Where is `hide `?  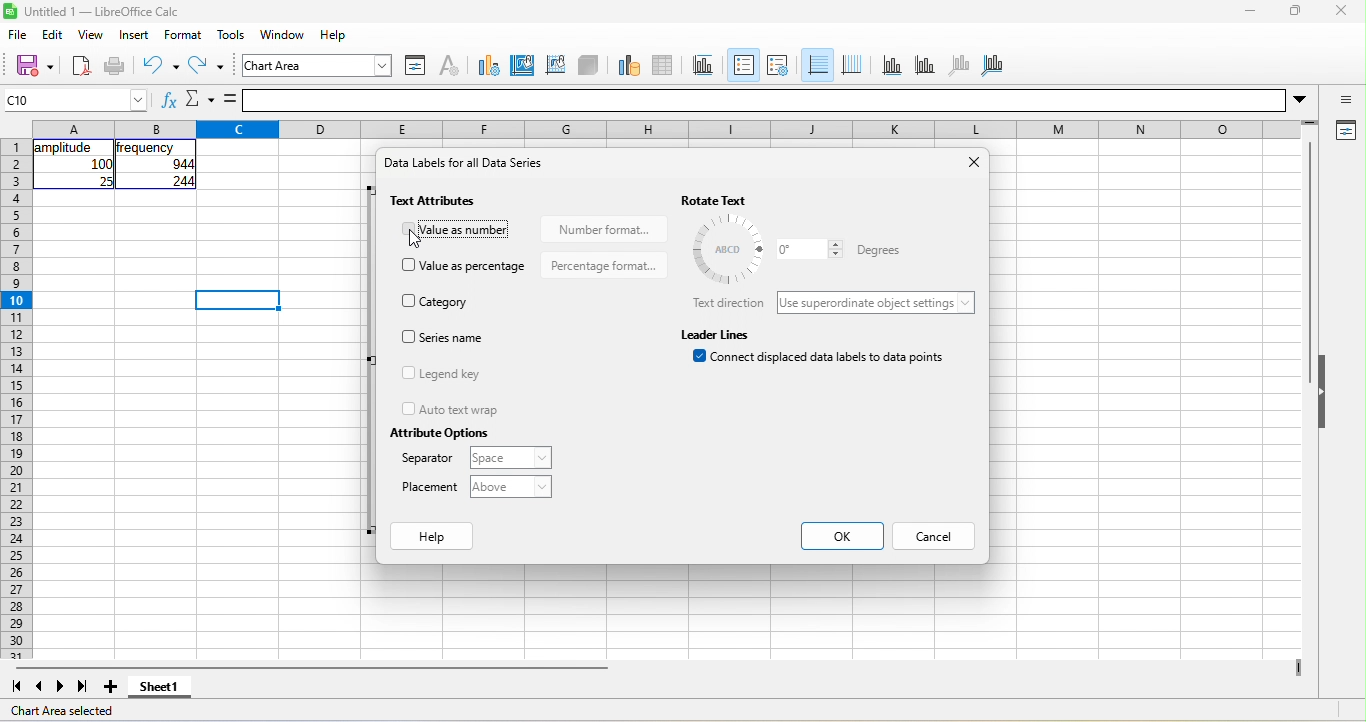
hide  is located at coordinates (1325, 393).